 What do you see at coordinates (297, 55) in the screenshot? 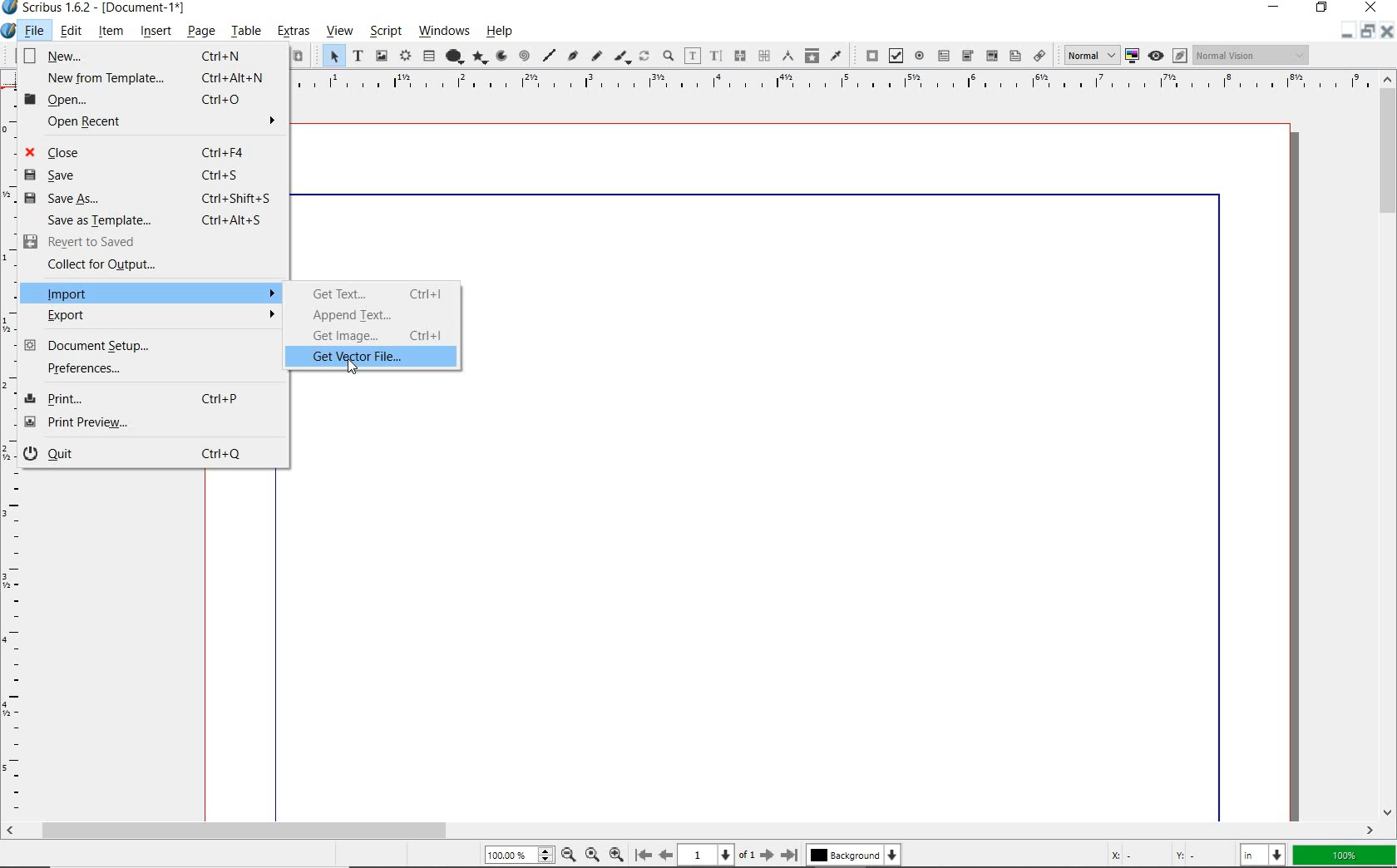
I see `paste` at bounding box center [297, 55].